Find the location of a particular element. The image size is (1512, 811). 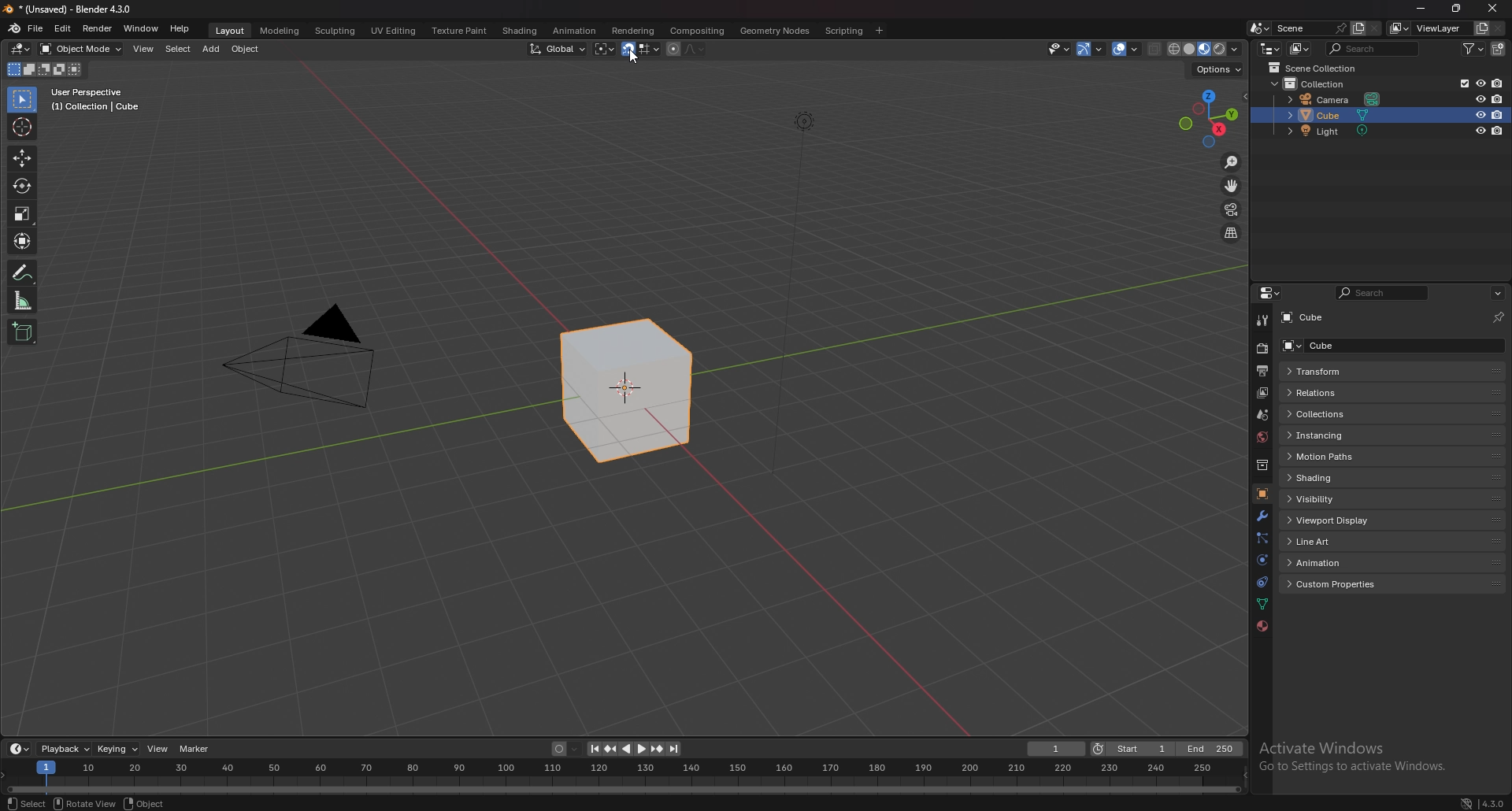

seek is located at coordinates (622, 776).